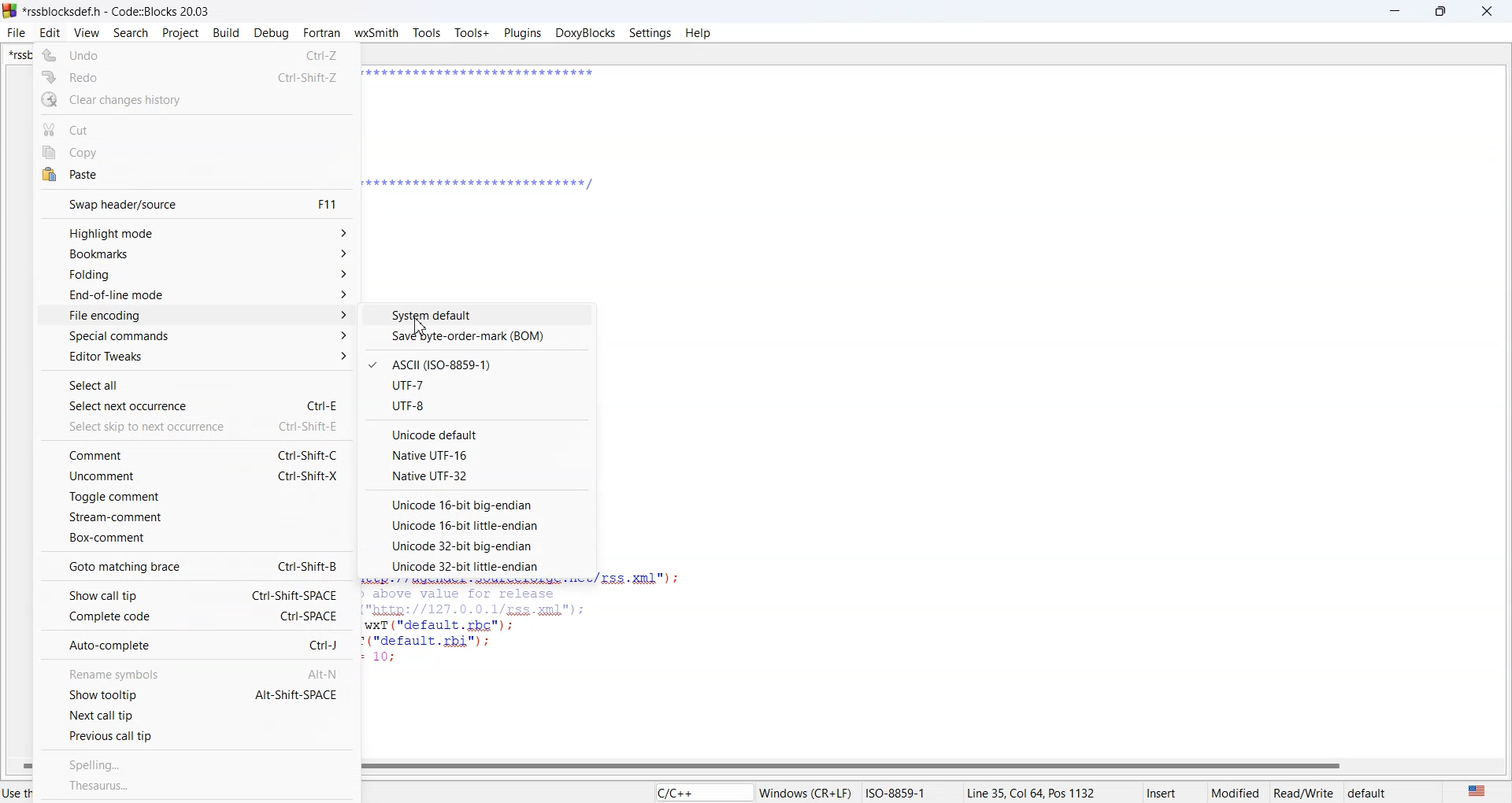 The width and height of the screenshot is (1512, 803). Describe the element at coordinates (1442, 11) in the screenshot. I see `Maximize` at that location.